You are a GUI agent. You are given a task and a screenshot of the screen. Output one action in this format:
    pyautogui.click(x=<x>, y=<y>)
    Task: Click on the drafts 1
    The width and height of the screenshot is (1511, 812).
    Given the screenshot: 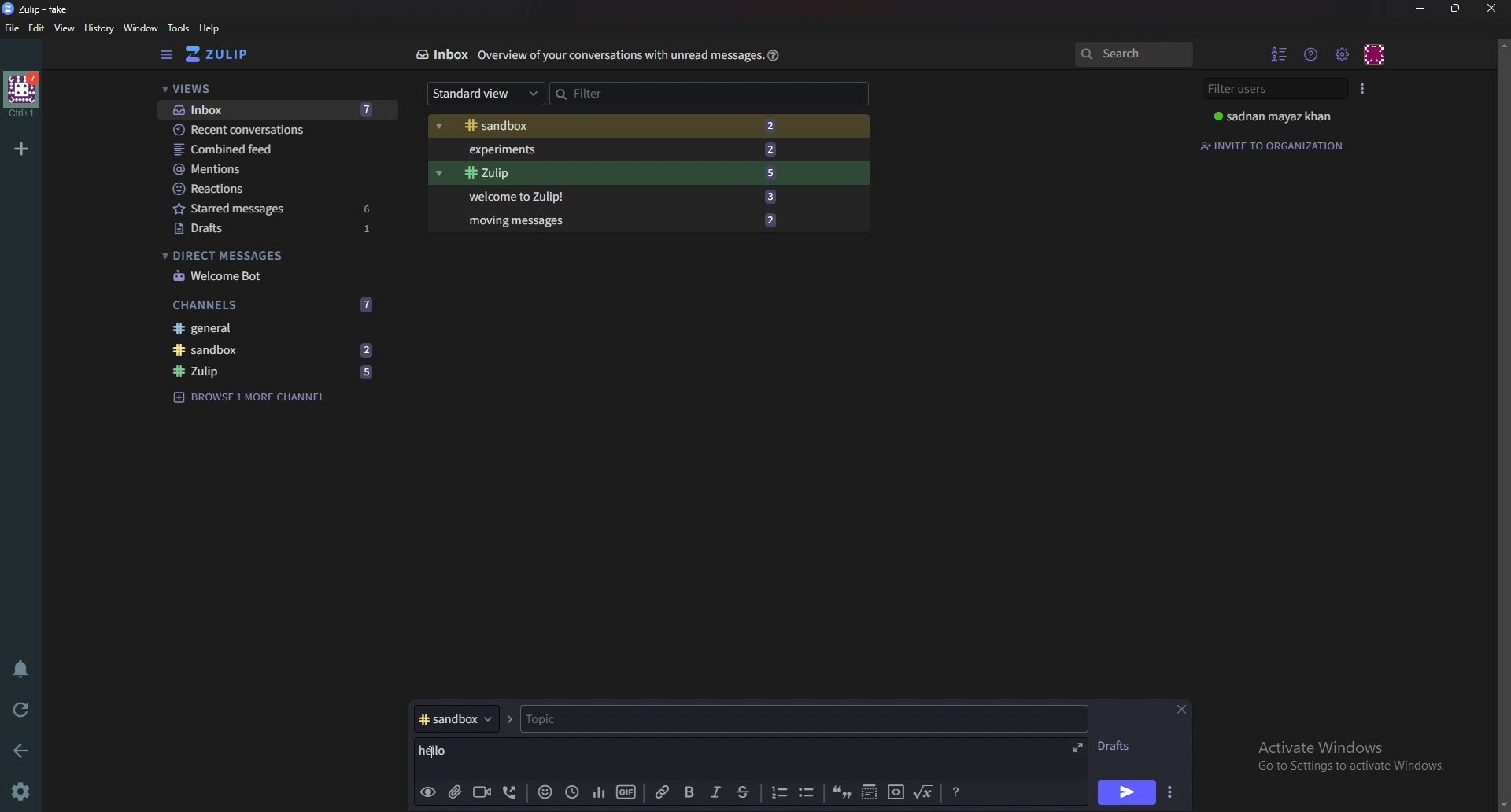 What is the action you would take?
    pyautogui.click(x=279, y=229)
    